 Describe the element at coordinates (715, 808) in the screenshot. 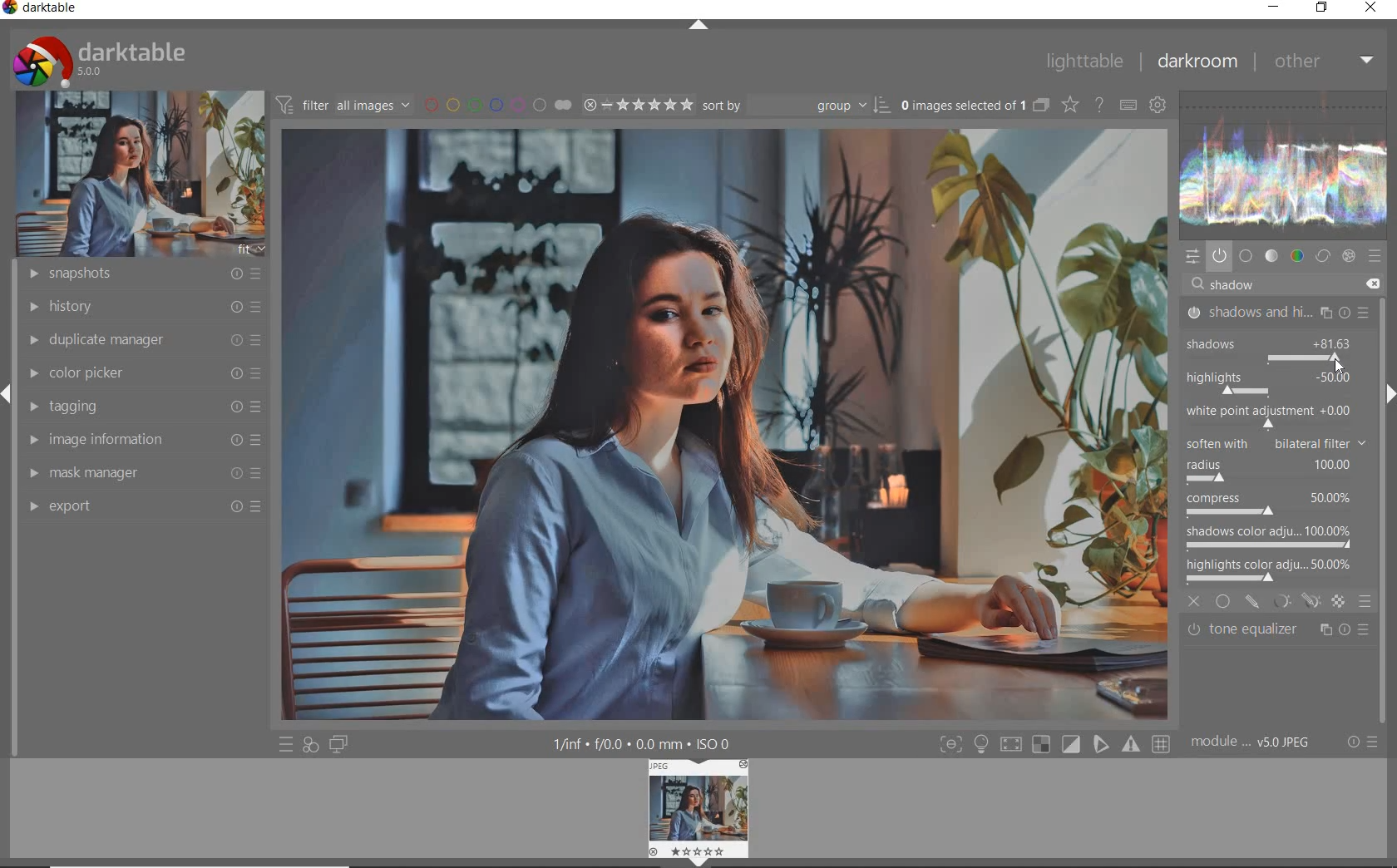

I see `image preview` at that location.